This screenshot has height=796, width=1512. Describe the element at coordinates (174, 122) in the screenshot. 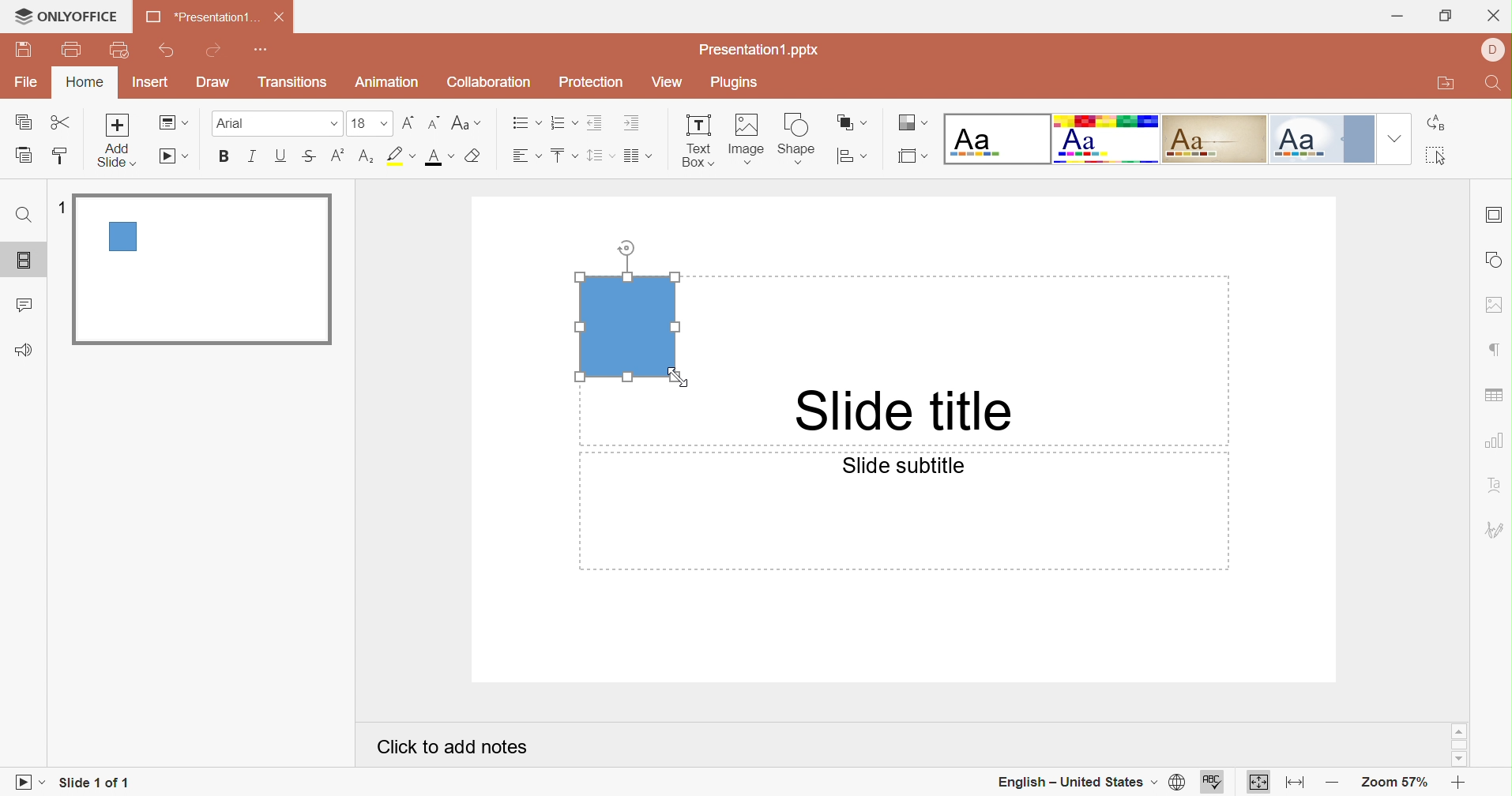

I see `Change slide layout` at that location.